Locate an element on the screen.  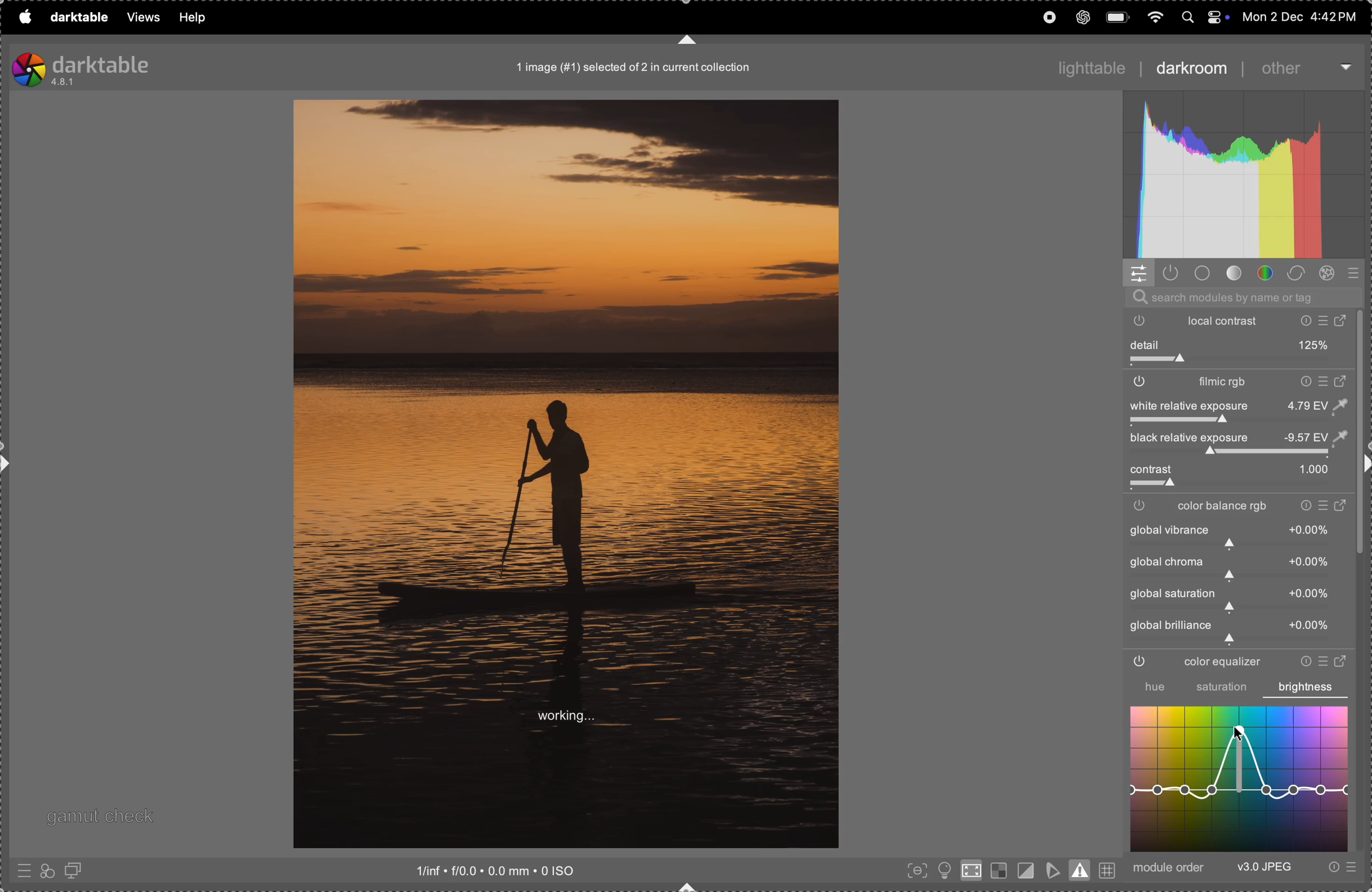
grid is located at coordinates (1108, 868).